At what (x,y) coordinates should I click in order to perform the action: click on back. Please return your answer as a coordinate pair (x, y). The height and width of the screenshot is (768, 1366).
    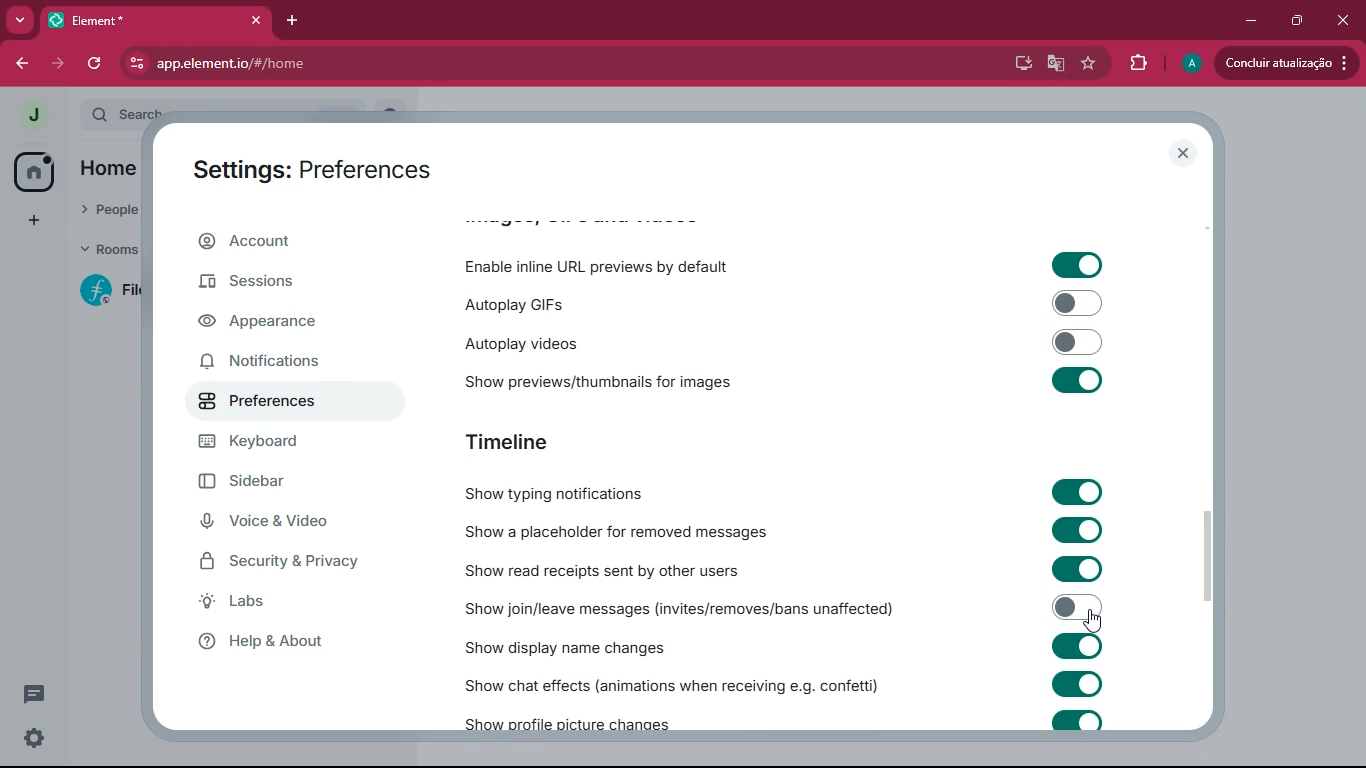
    Looking at the image, I should click on (16, 65).